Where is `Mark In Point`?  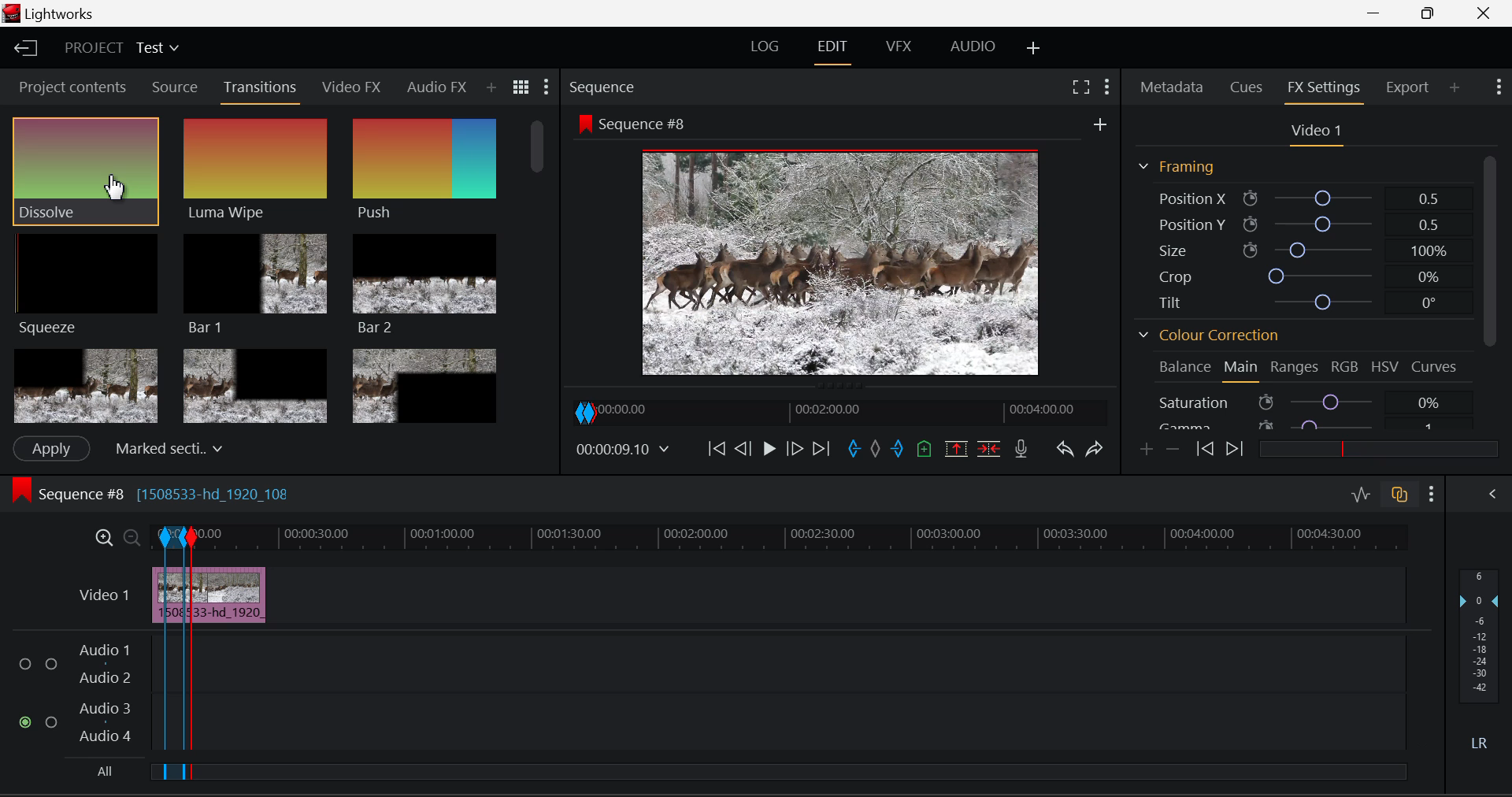 Mark In Point is located at coordinates (854, 451).